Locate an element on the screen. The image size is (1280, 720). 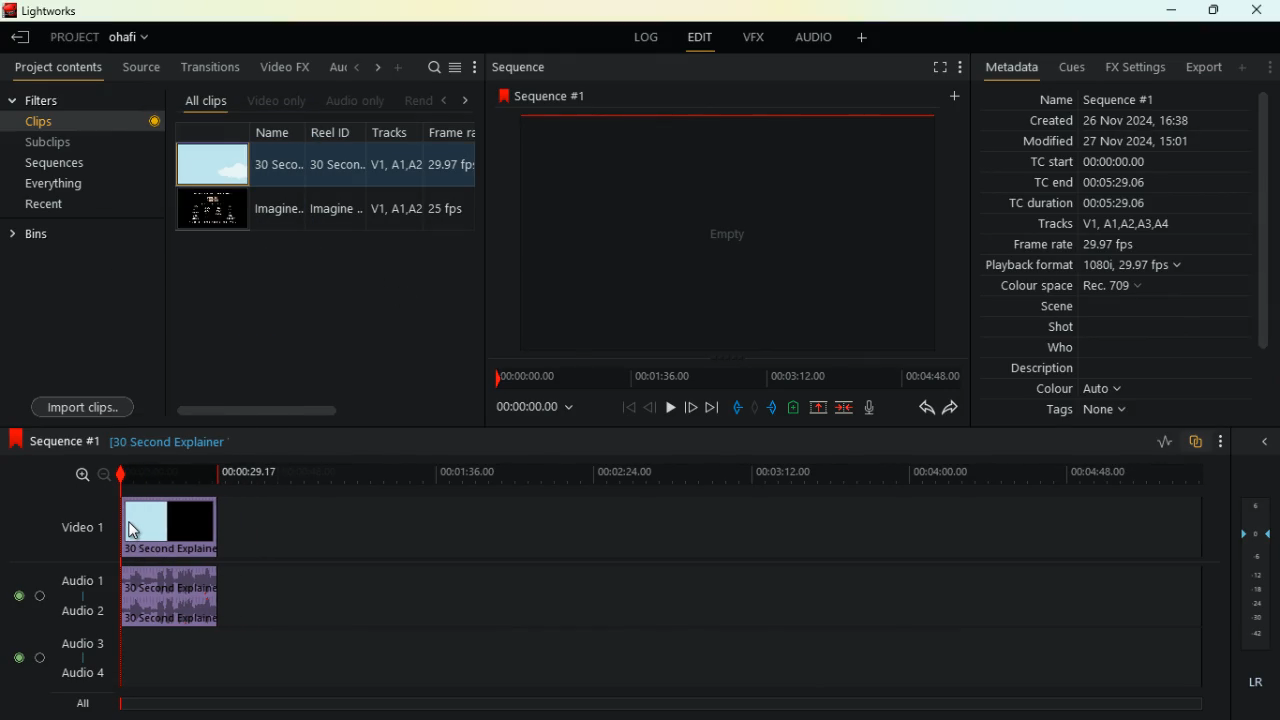
audio 3 is located at coordinates (81, 643).